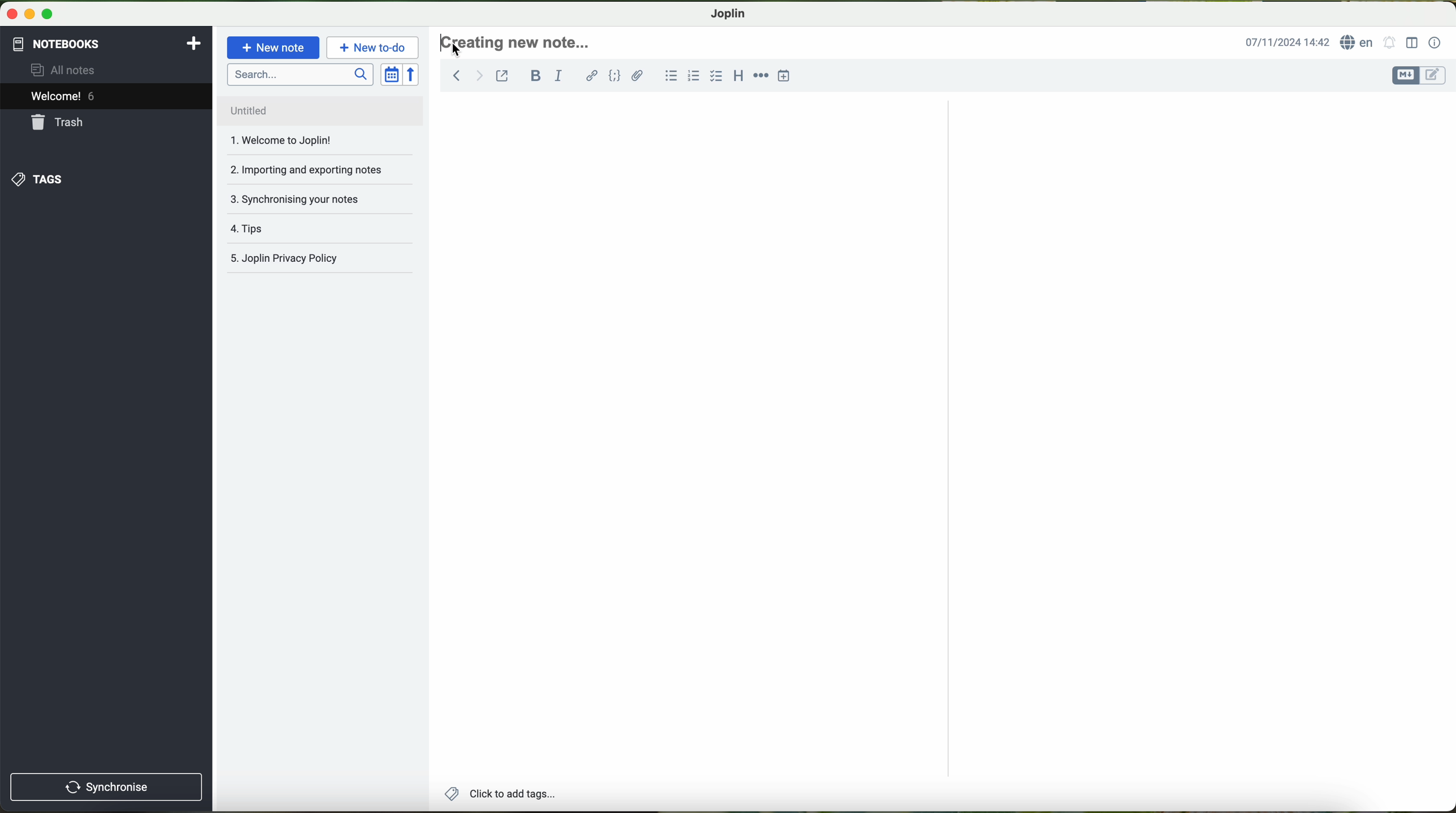 This screenshot has height=813, width=1456. Describe the element at coordinates (503, 76) in the screenshot. I see `toggle external editing` at that location.